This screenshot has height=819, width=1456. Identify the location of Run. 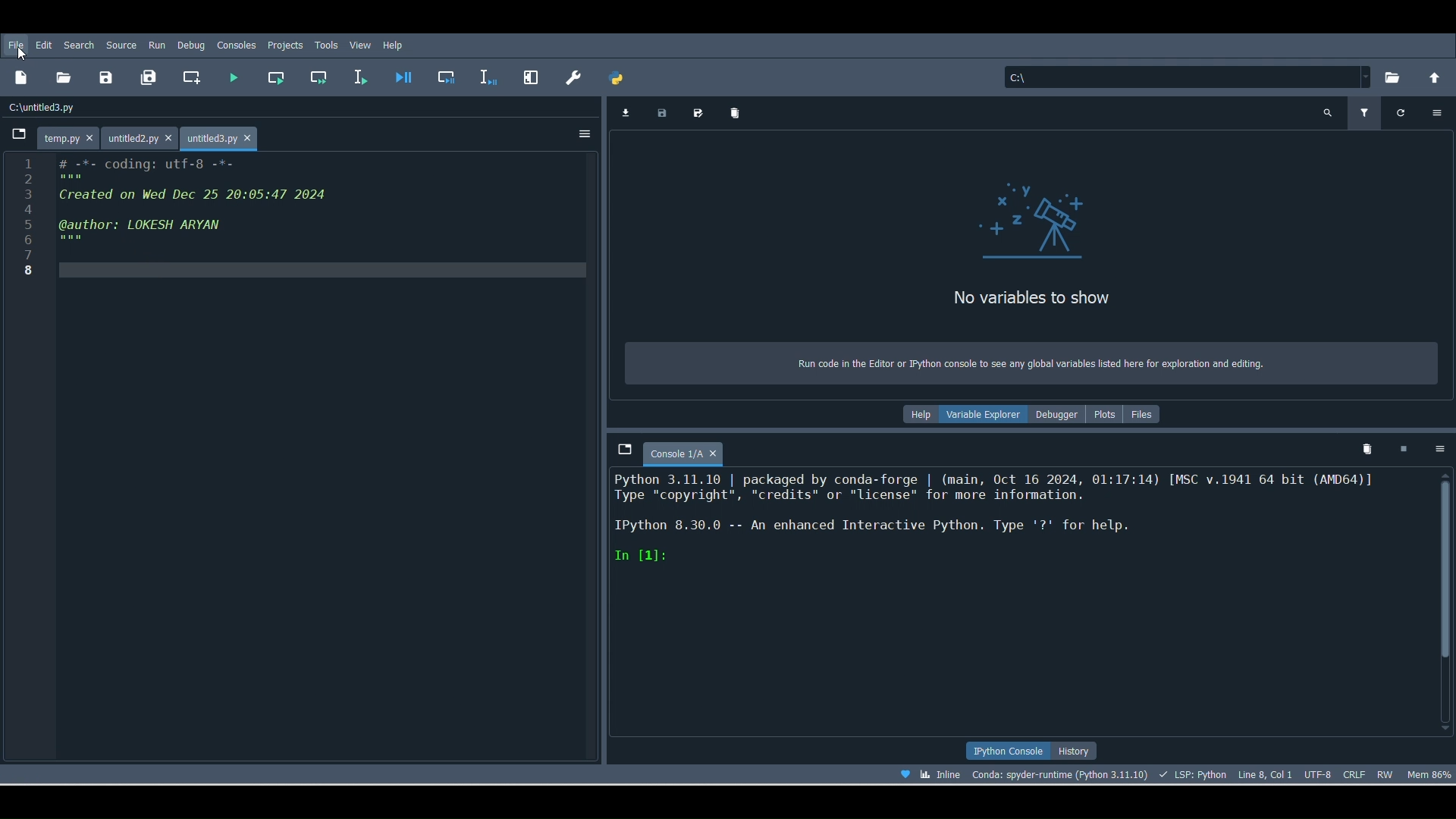
(155, 45).